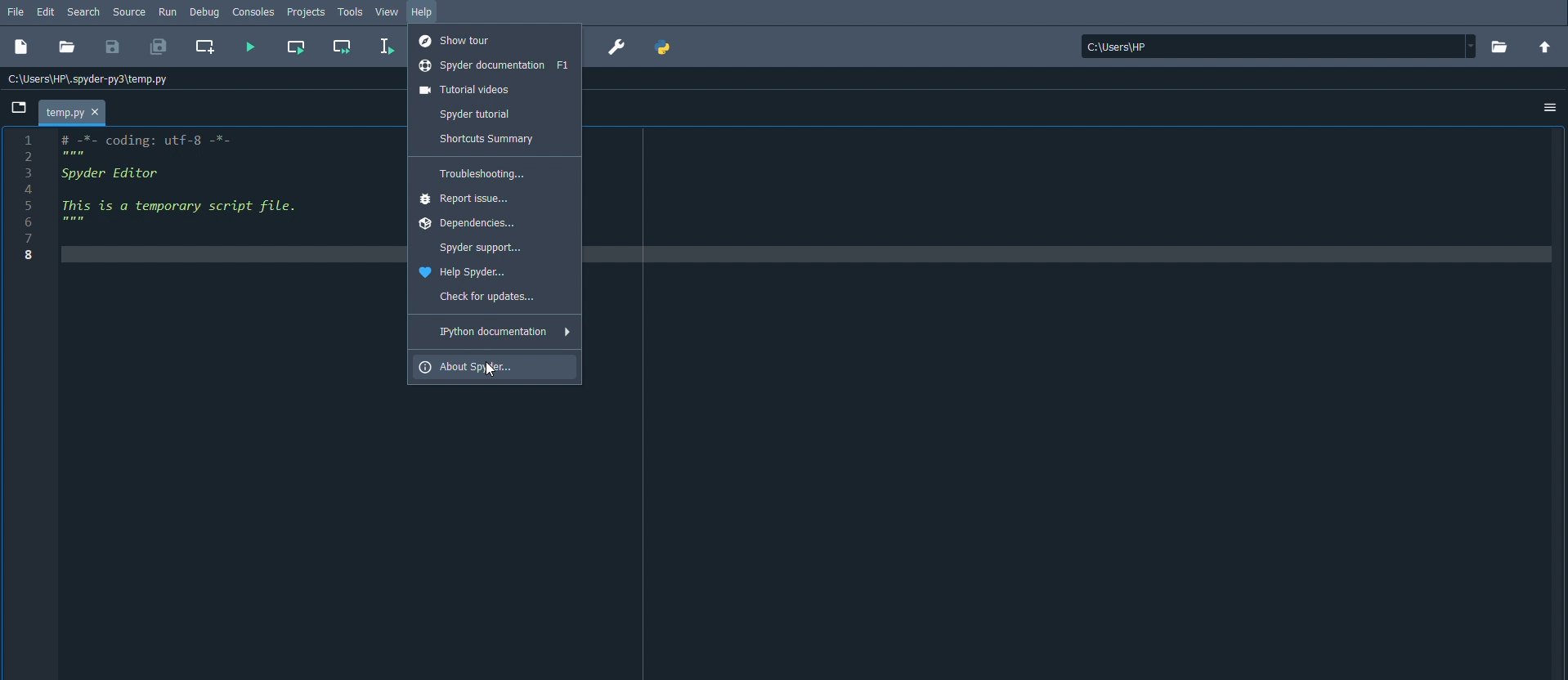  Describe the element at coordinates (204, 12) in the screenshot. I see `Debug` at that location.